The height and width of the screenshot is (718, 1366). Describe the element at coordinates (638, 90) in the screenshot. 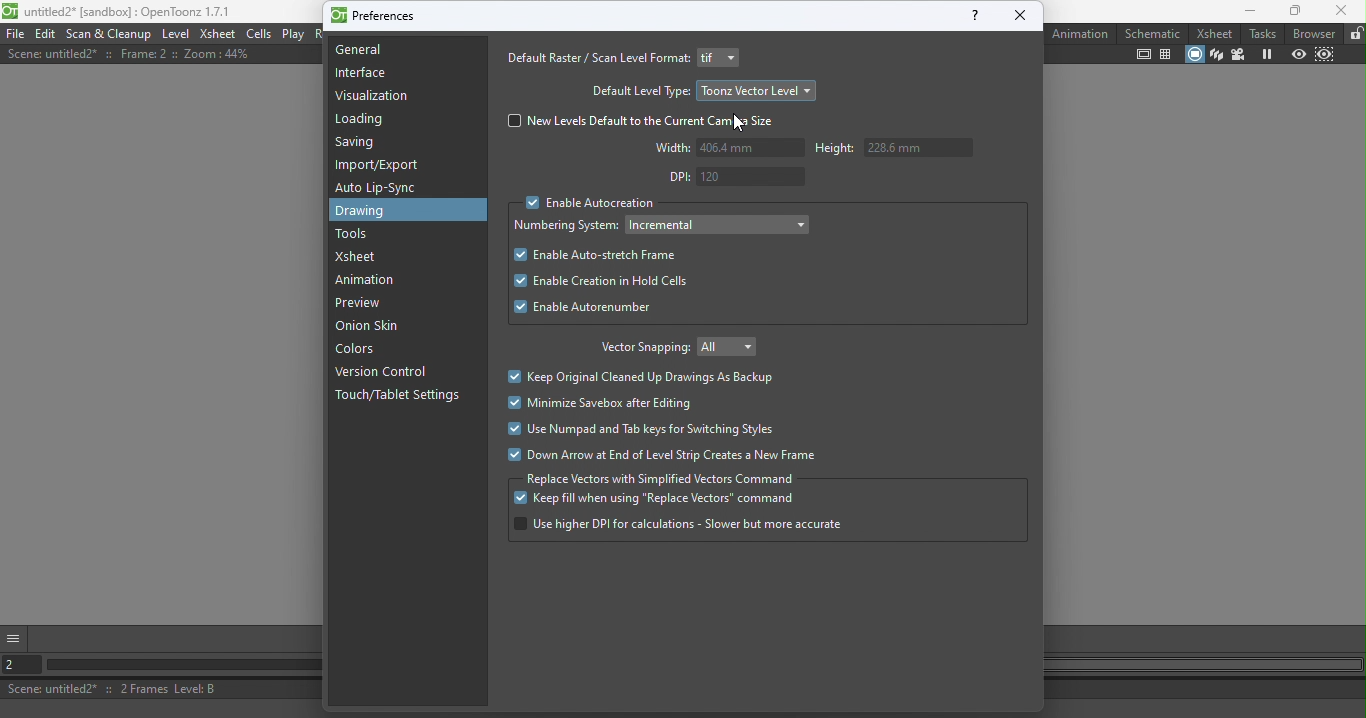

I see `Default level type` at that location.